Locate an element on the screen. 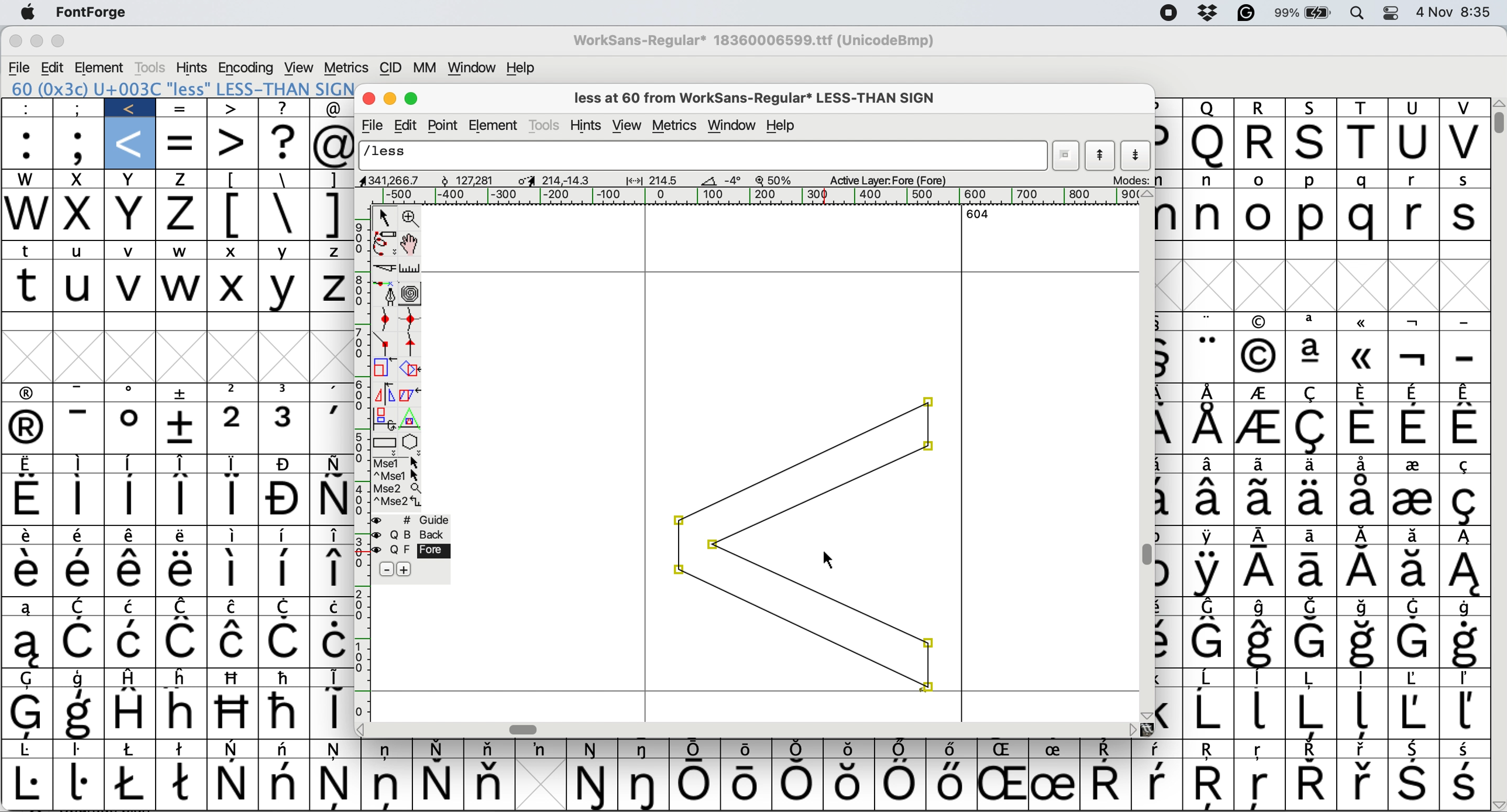 The height and width of the screenshot is (812, 1507). glyph dimensions is located at coordinates (549, 180).